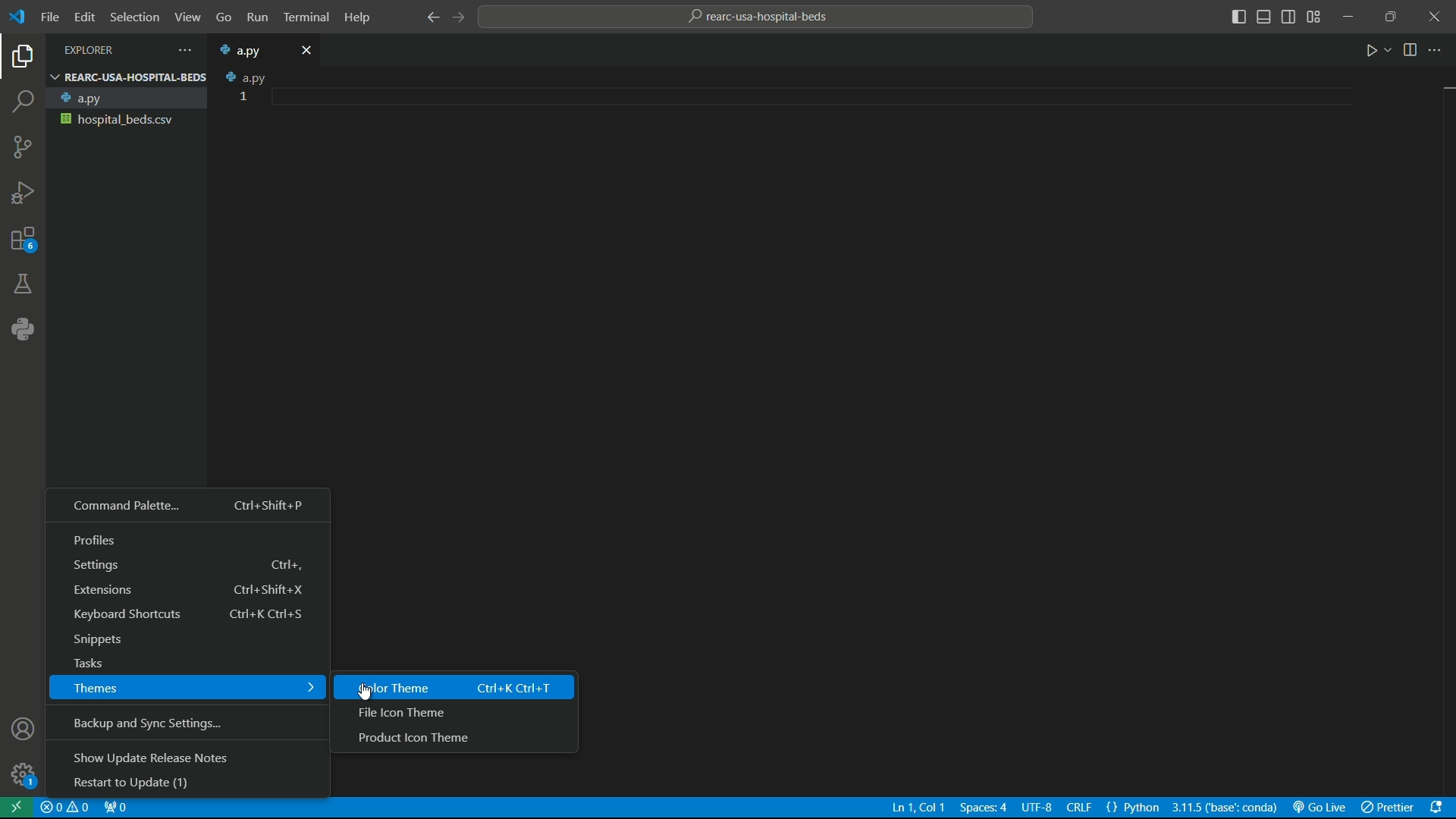 Image resolution: width=1456 pixels, height=819 pixels. I want to click on help menu, so click(359, 17).